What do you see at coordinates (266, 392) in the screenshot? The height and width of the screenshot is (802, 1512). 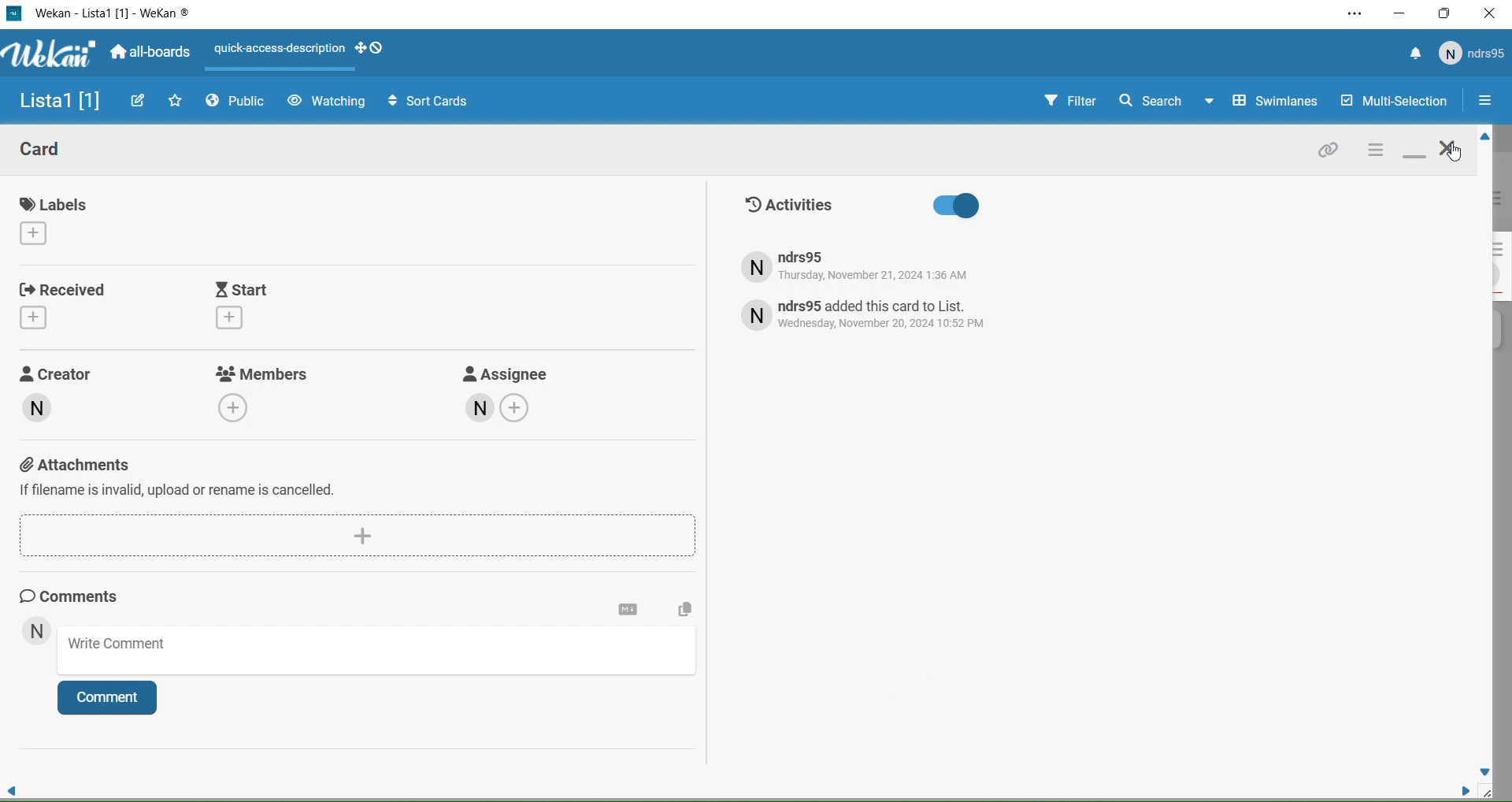 I see `Members` at bounding box center [266, 392].